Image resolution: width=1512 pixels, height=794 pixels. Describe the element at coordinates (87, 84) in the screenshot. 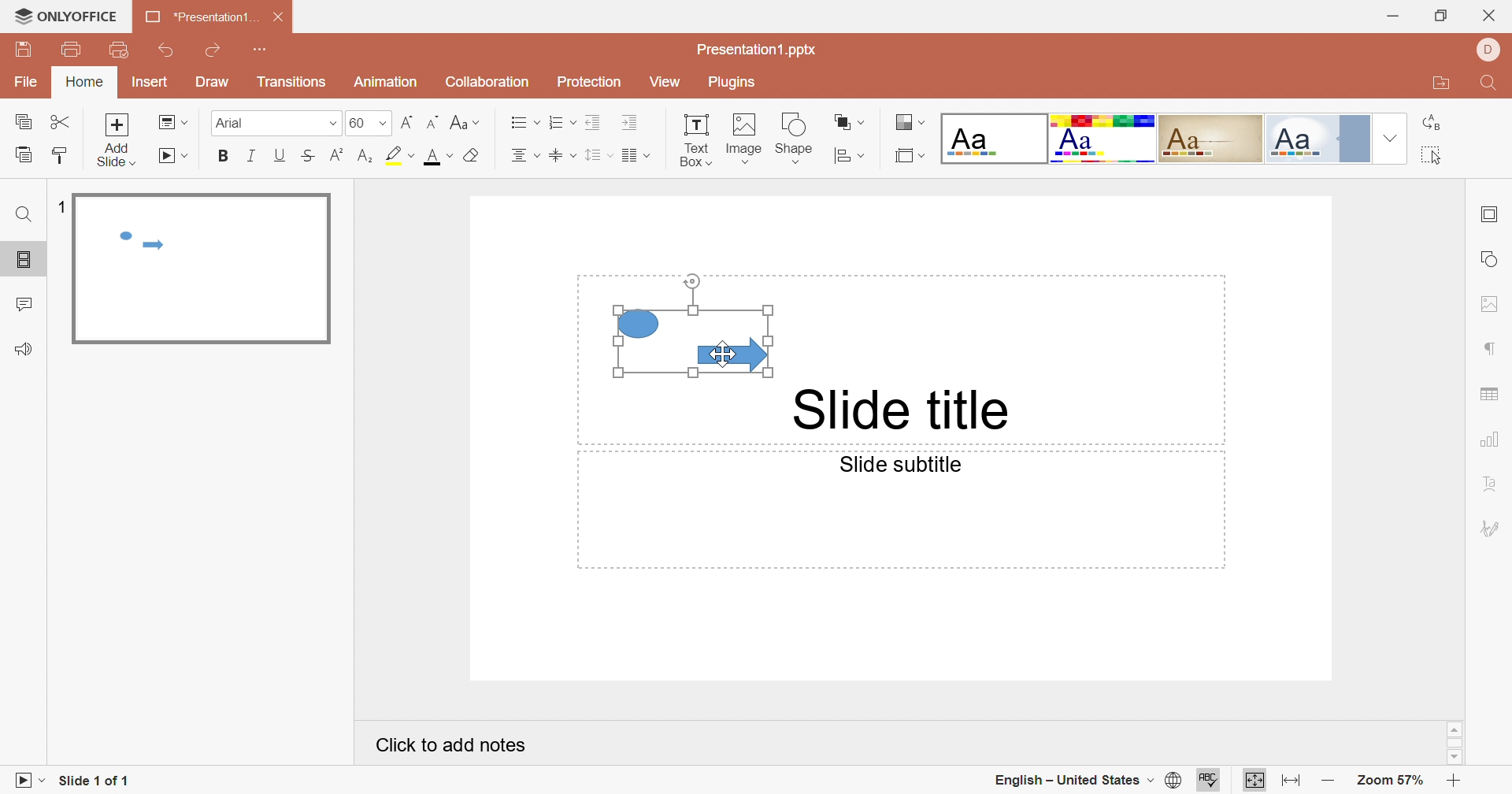

I see `Home` at that location.